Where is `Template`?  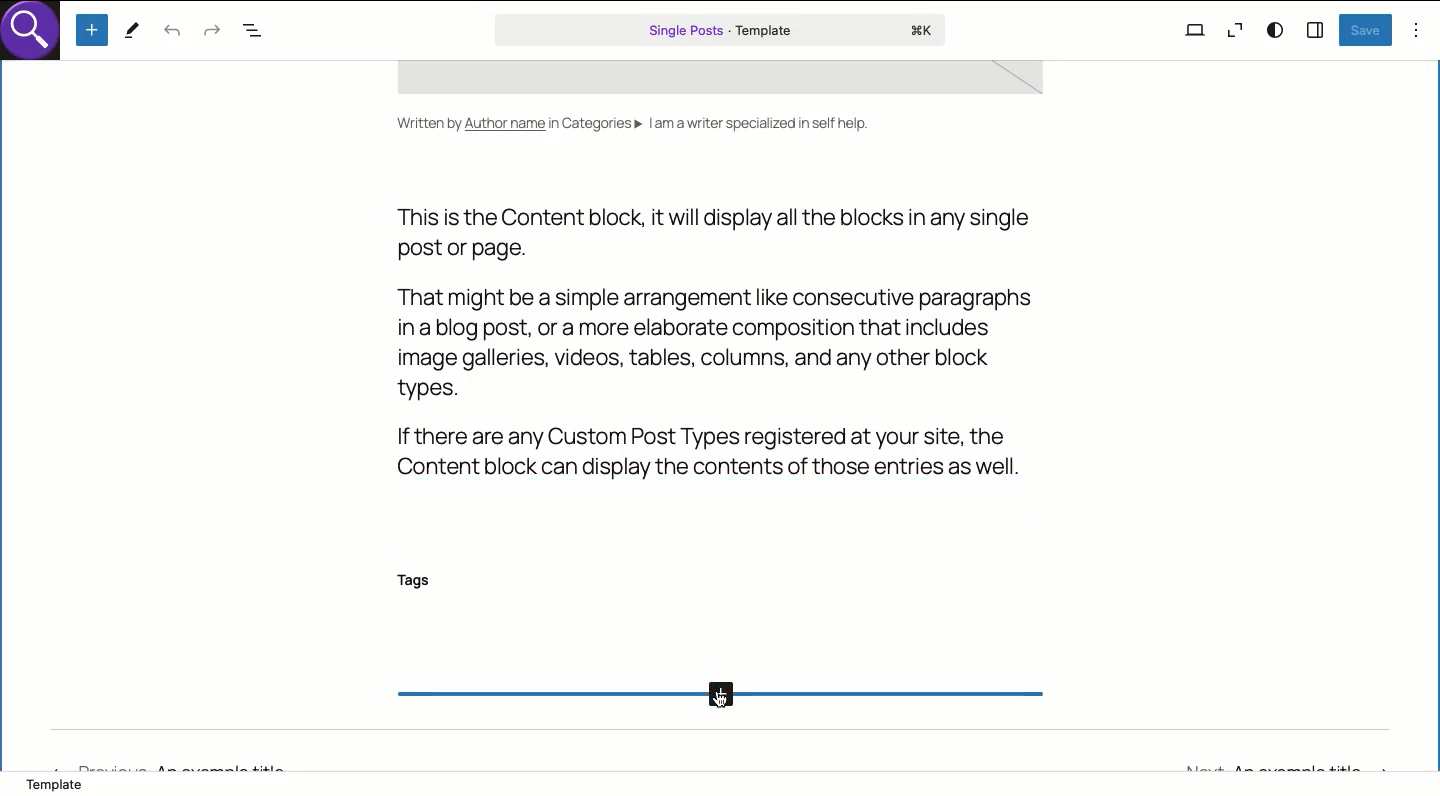
Template is located at coordinates (63, 786).